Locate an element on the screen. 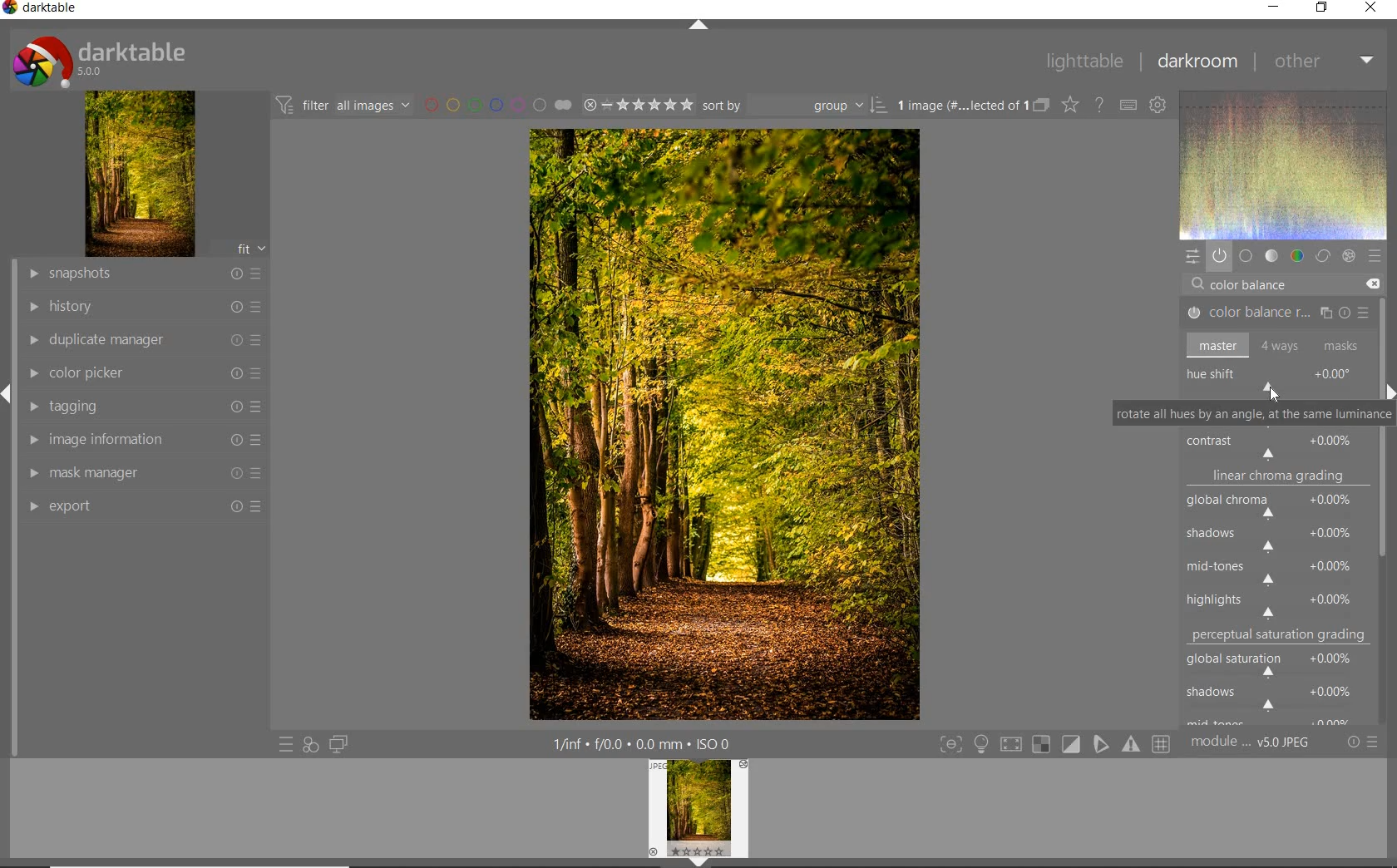 The height and width of the screenshot is (868, 1397). system name is located at coordinates (40, 8).